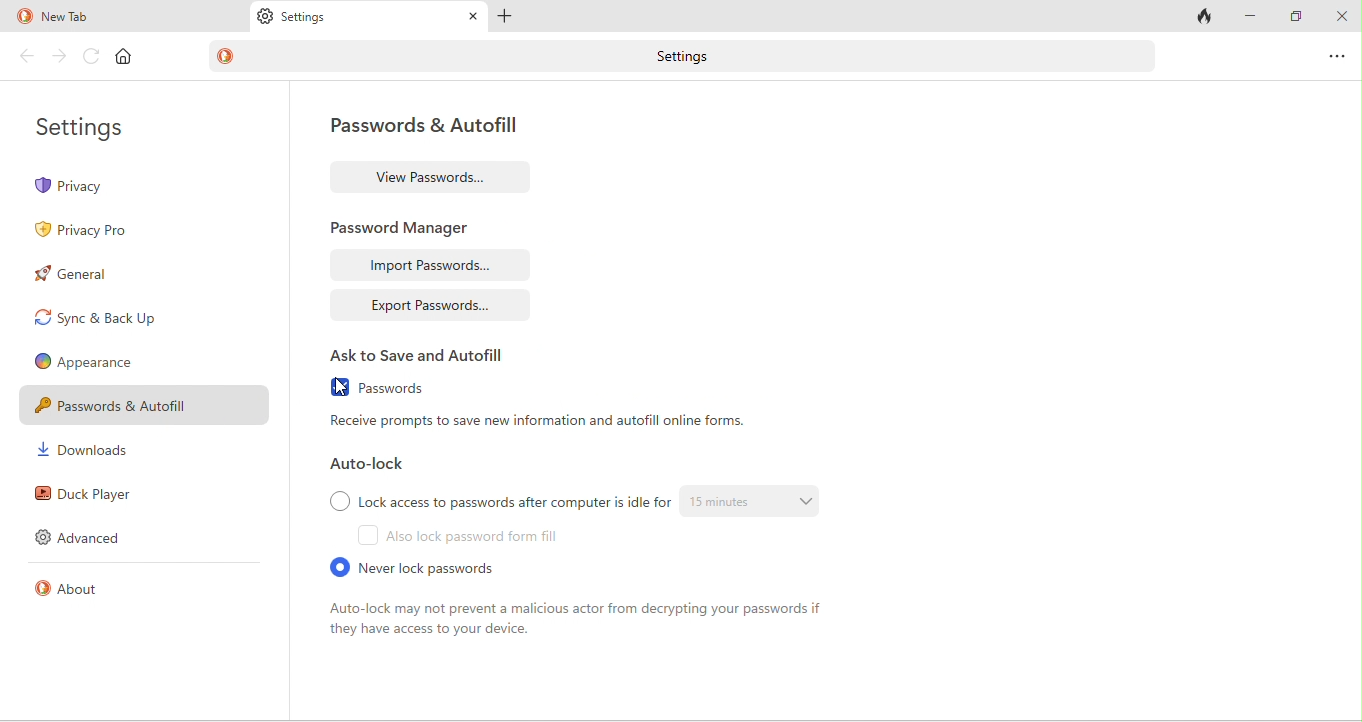  What do you see at coordinates (229, 57) in the screenshot?
I see `duck duck go logo` at bounding box center [229, 57].